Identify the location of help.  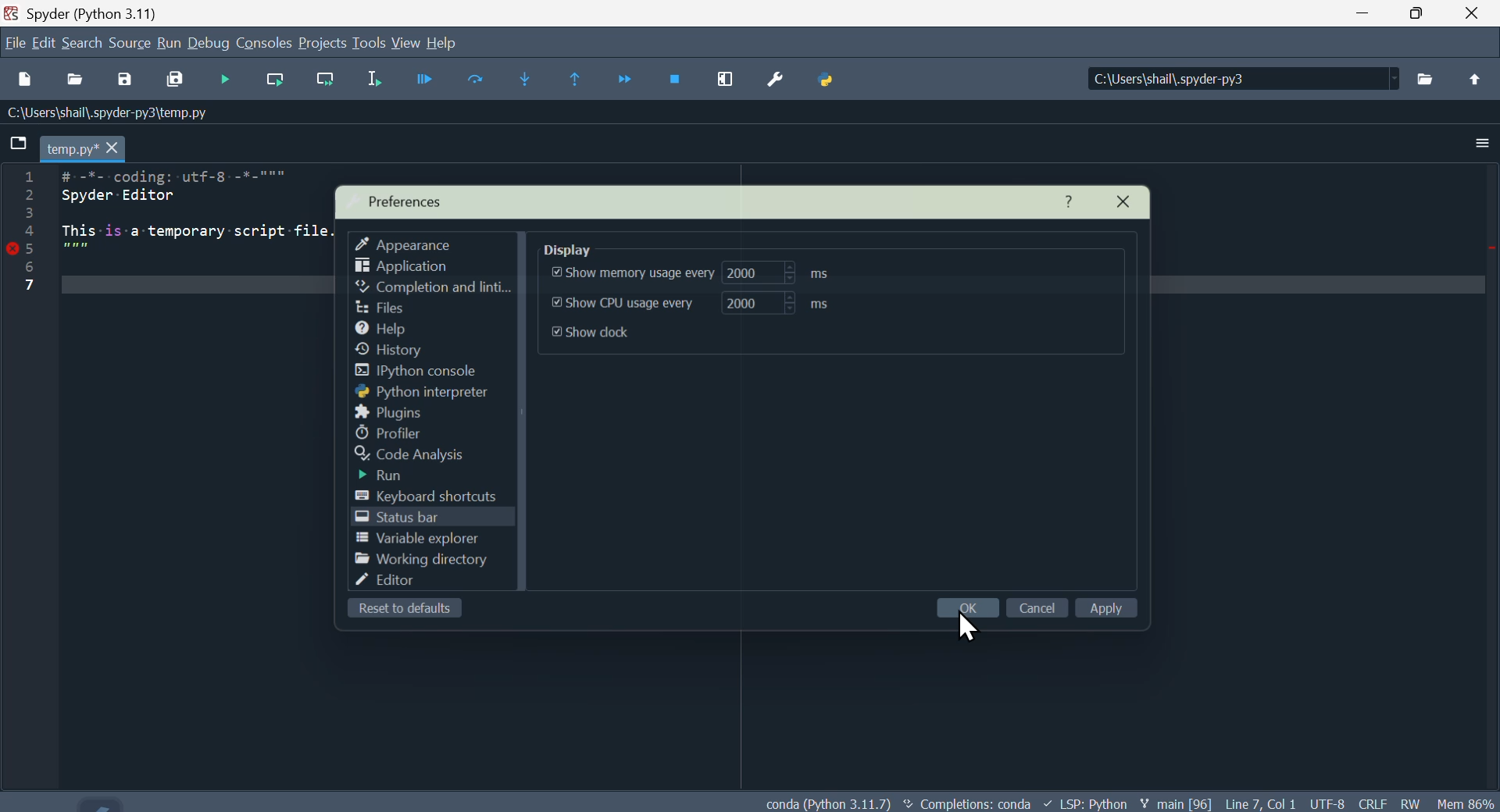
(384, 327).